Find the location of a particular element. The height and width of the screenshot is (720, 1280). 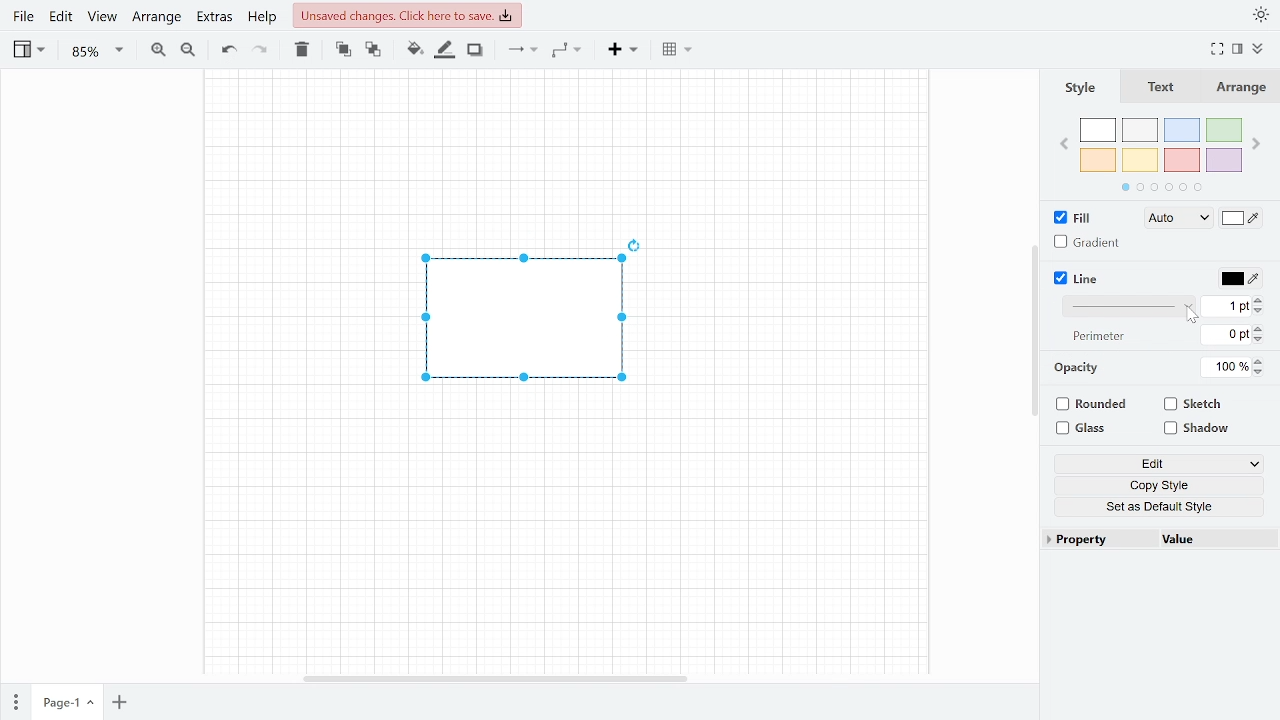

Fill color is located at coordinates (414, 51).